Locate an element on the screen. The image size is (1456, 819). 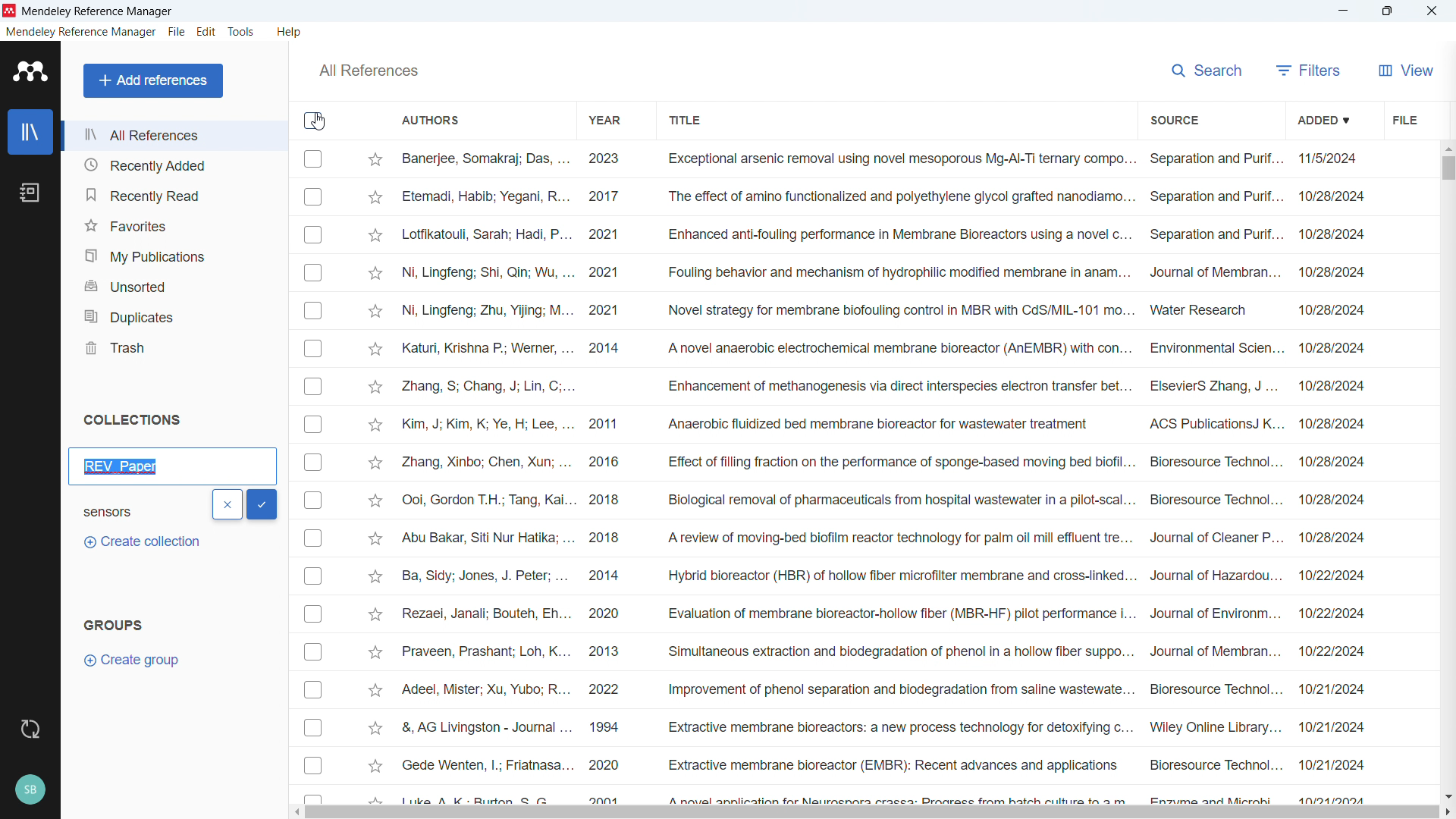
Cursor is located at coordinates (318, 121).